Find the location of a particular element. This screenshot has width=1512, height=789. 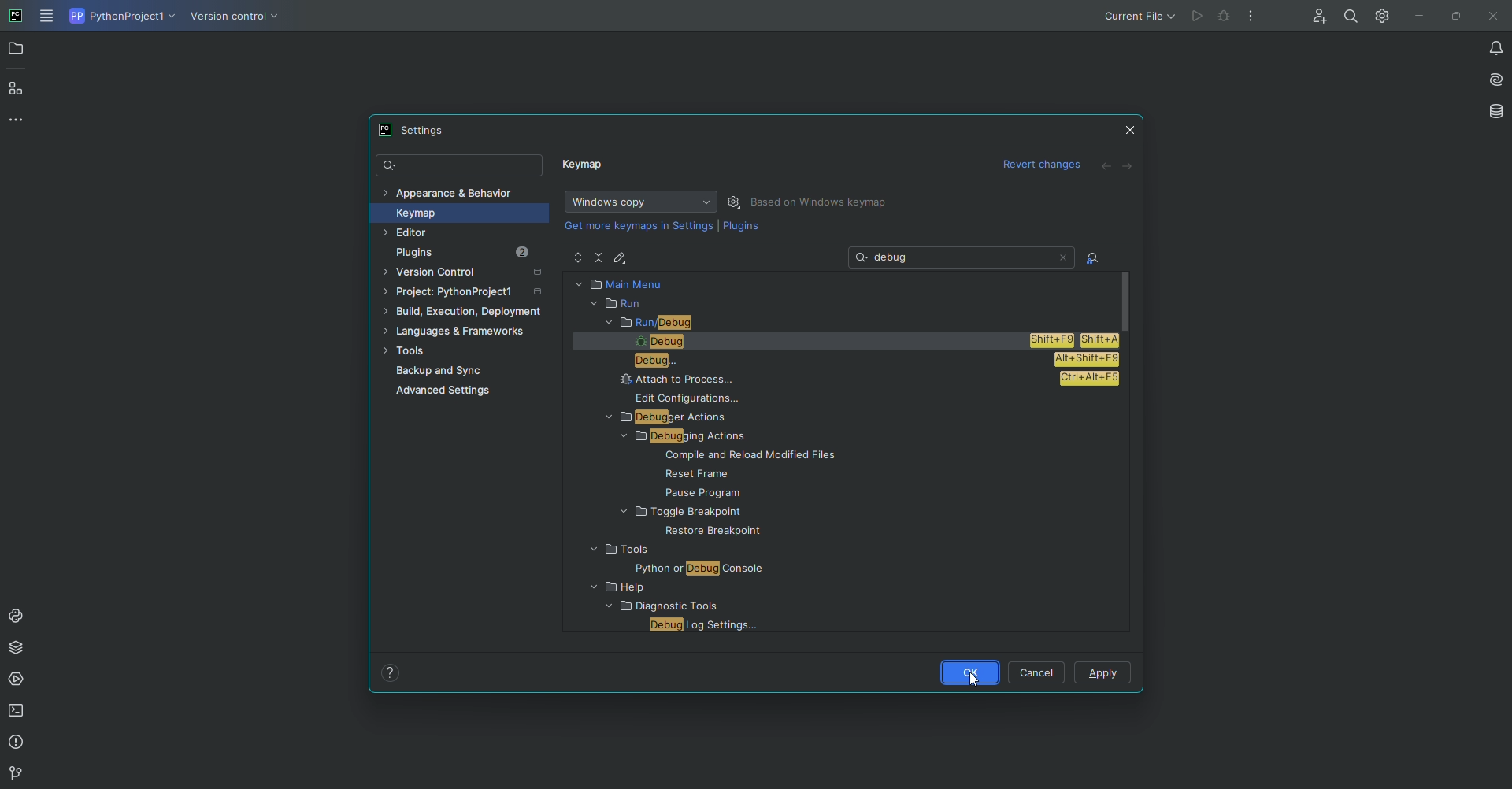

Find is located at coordinates (1351, 16).